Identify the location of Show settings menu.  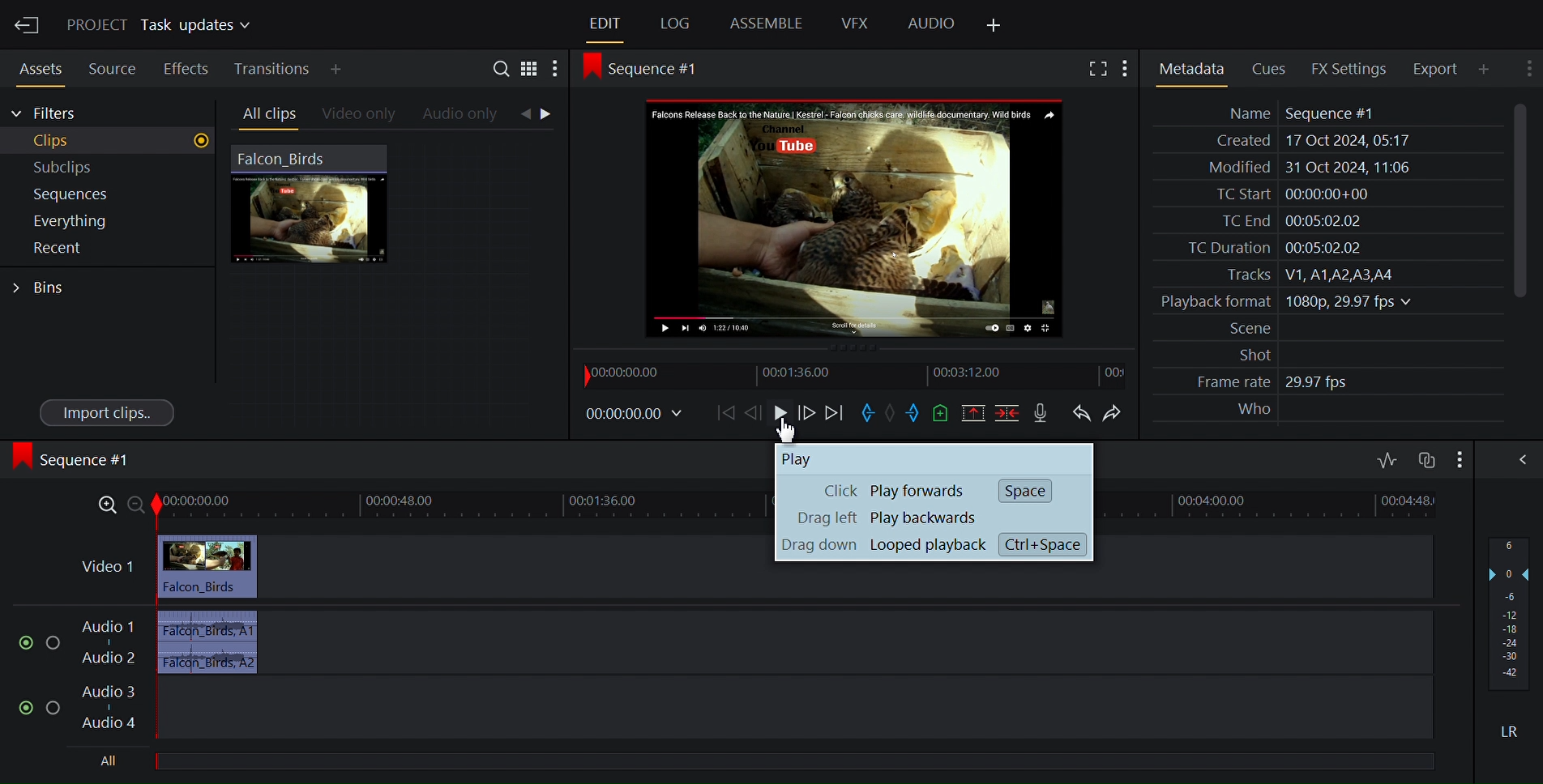
(1527, 70).